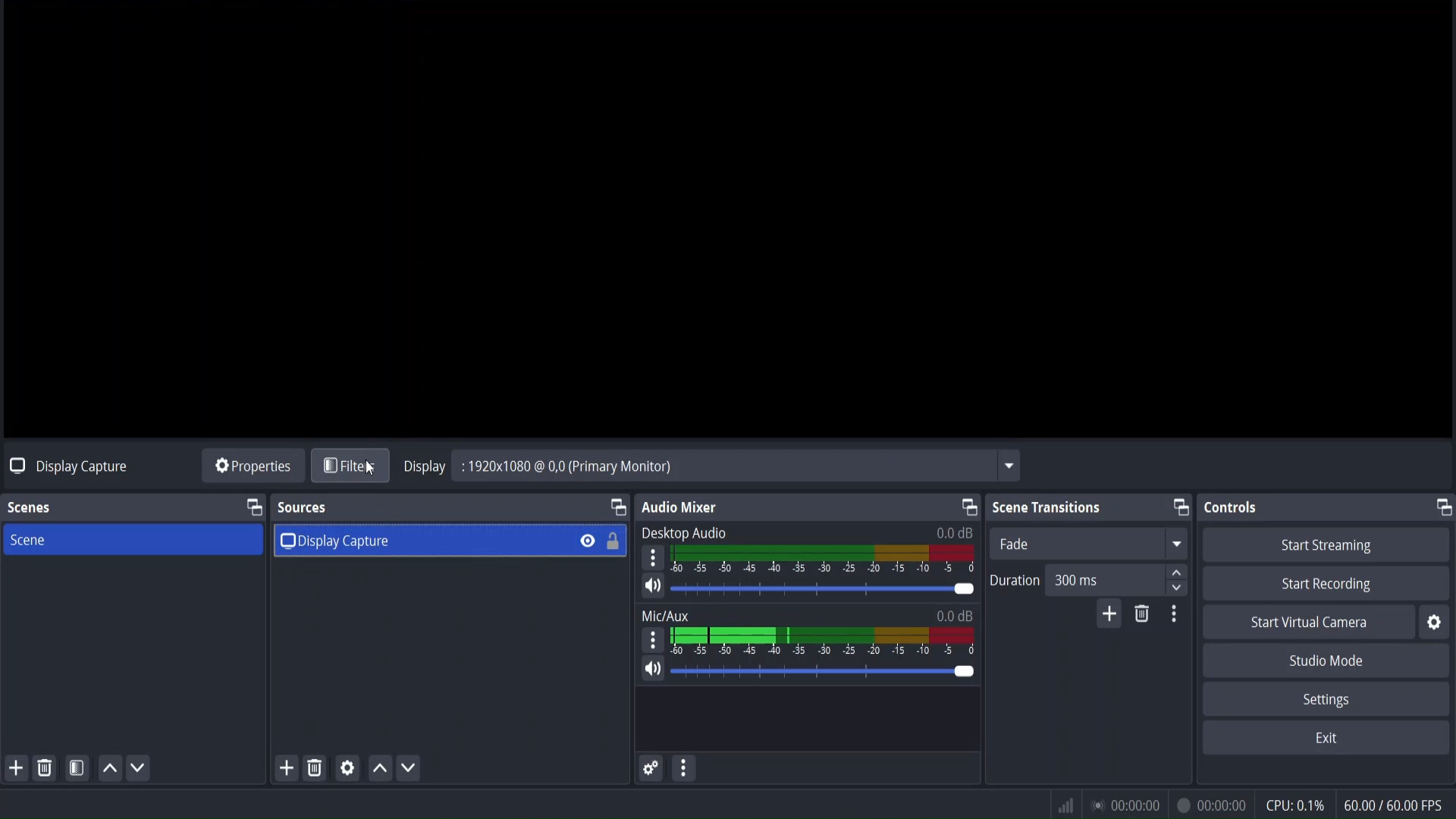  Describe the element at coordinates (1181, 560) in the screenshot. I see `up/down button` at that location.